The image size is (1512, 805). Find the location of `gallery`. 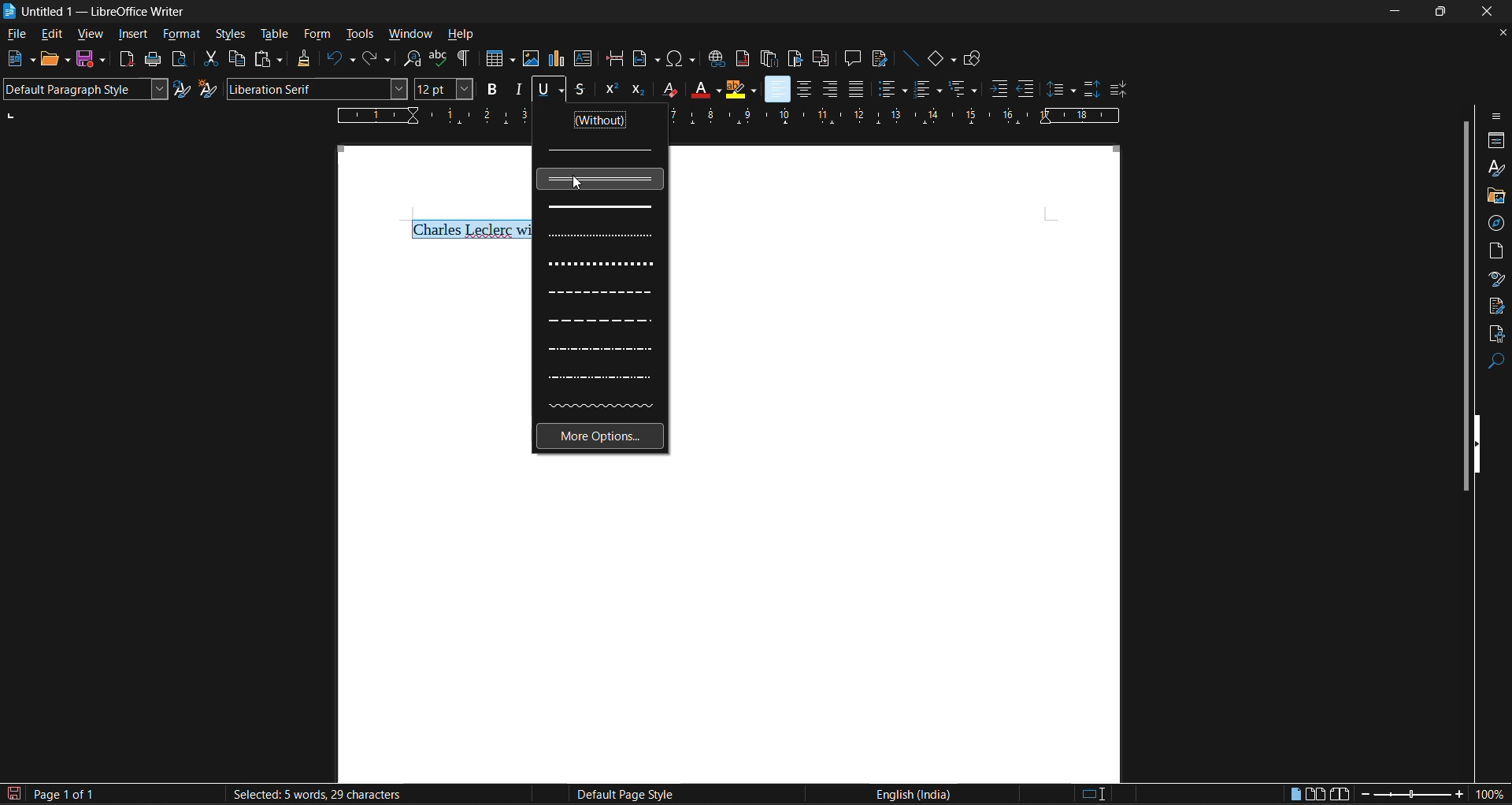

gallery is located at coordinates (1495, 197).